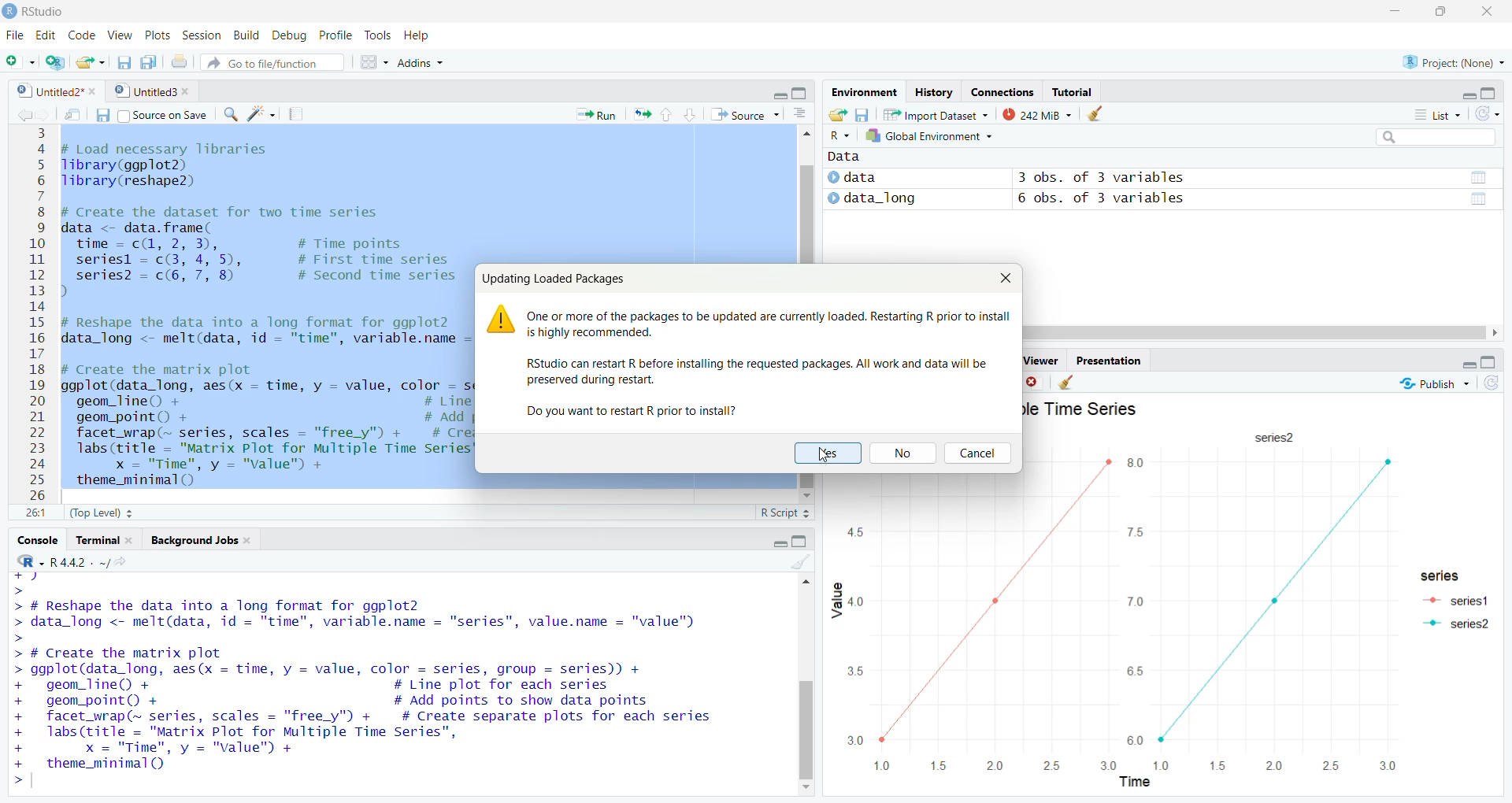  What do you see at coordinates (122, 61) in the screenshot?
I see `save current document` at bounding box center [122, 61].